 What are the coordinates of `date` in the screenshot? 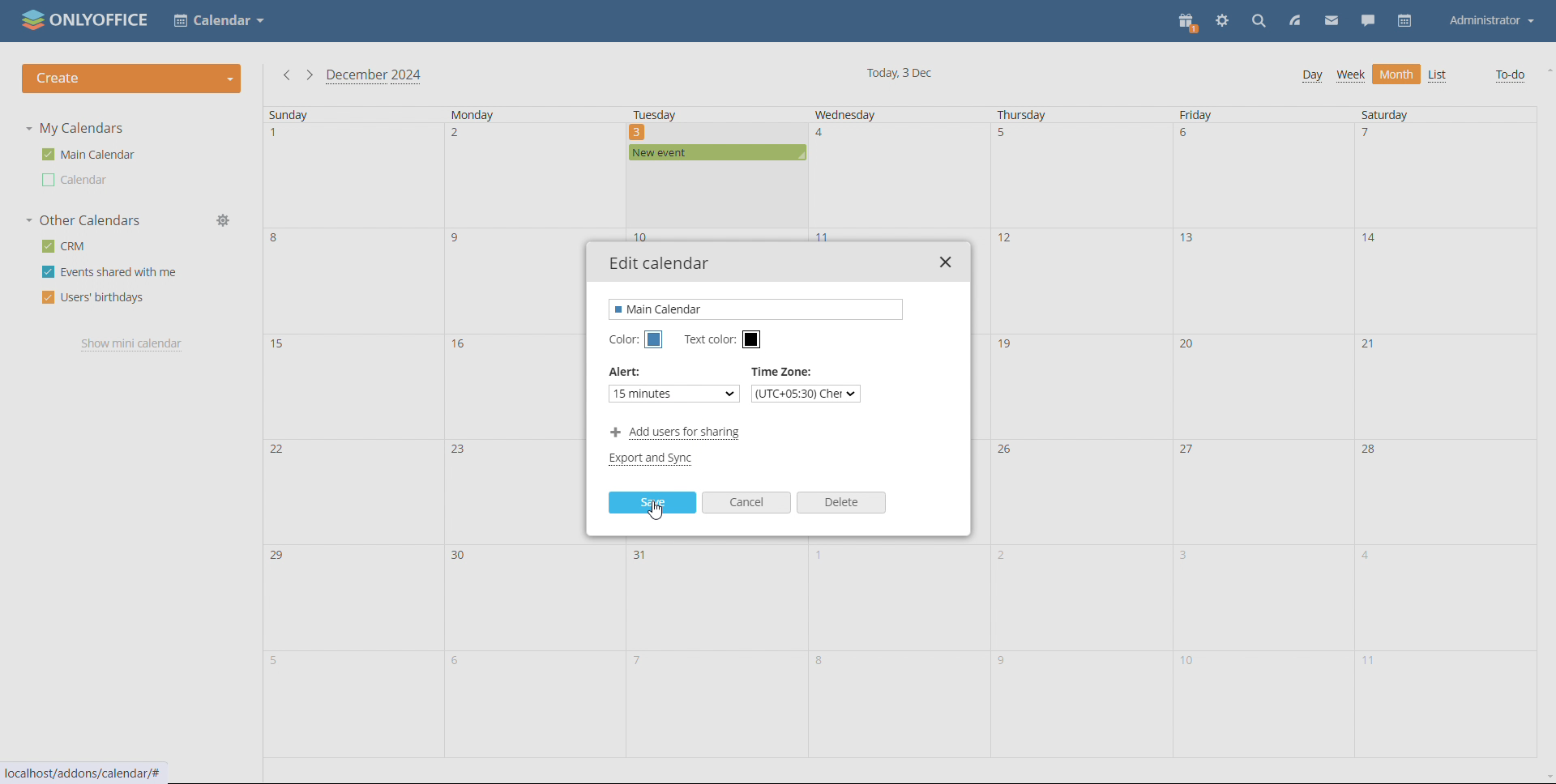 It's located at (534, 177).